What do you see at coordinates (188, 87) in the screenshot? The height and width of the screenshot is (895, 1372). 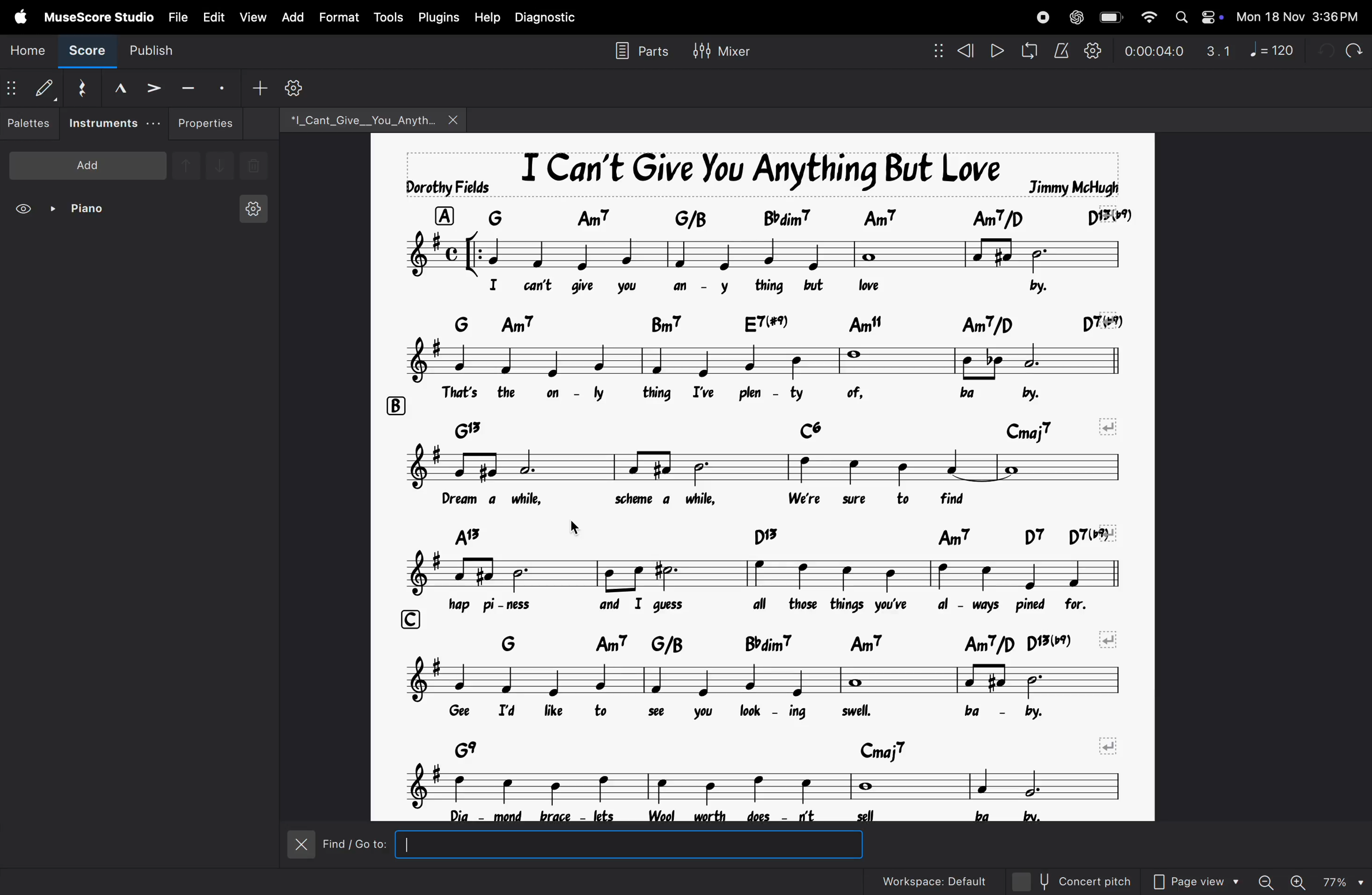 I see `tenuto` at bounding box center [188, 87].